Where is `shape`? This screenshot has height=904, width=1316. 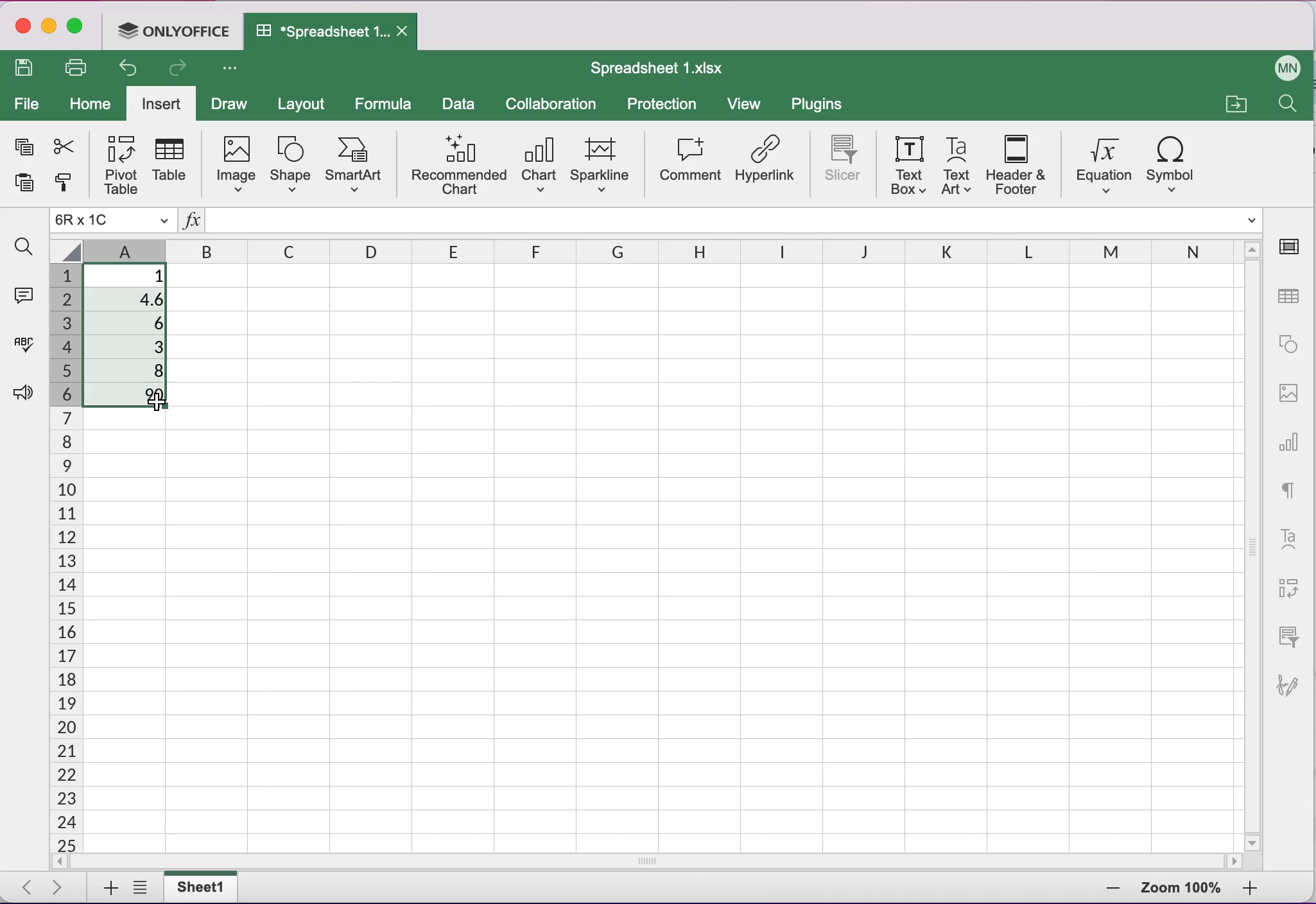 shape is located at coordinates (289, 168).